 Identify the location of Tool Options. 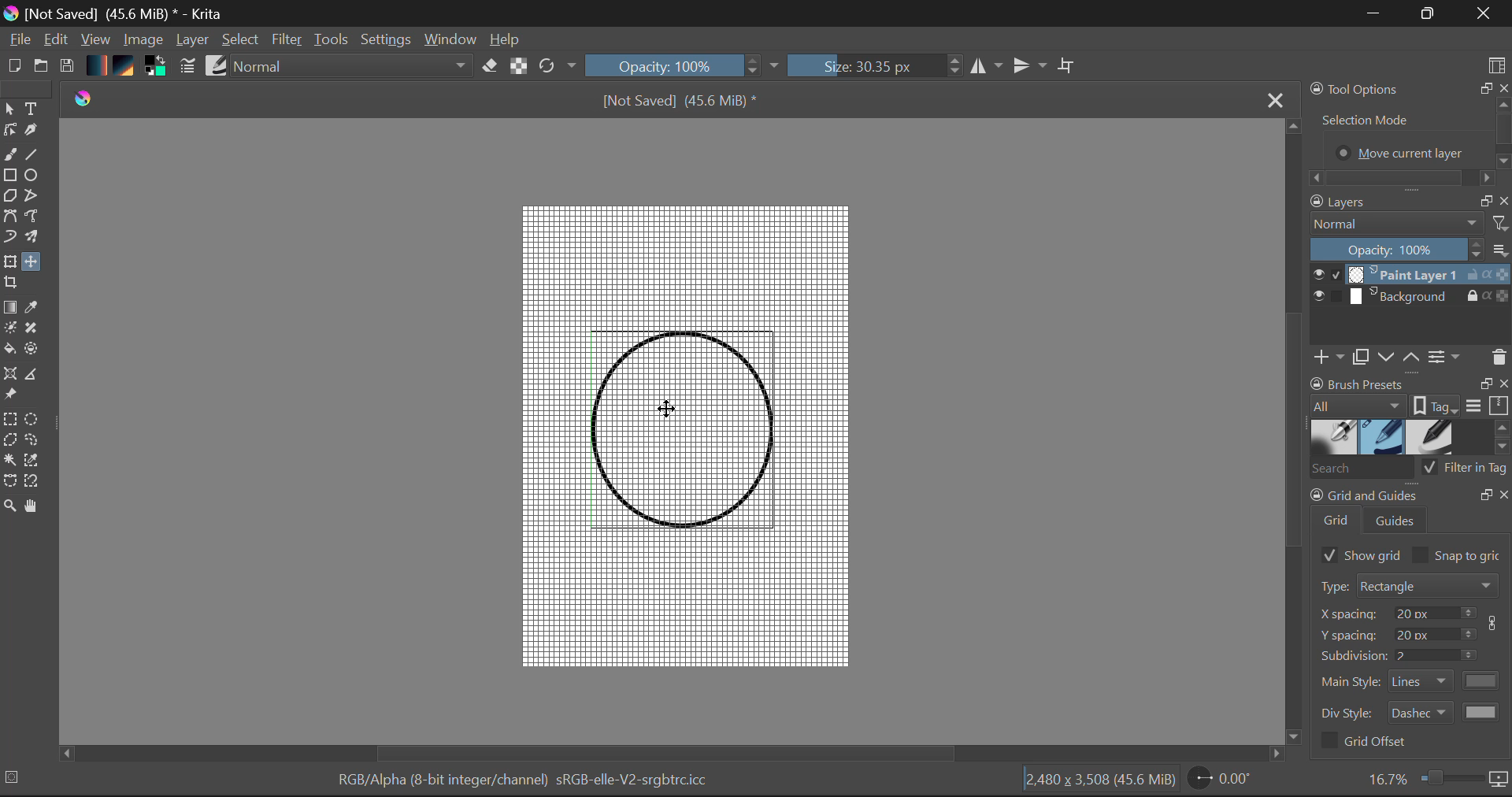
(1408, 132).